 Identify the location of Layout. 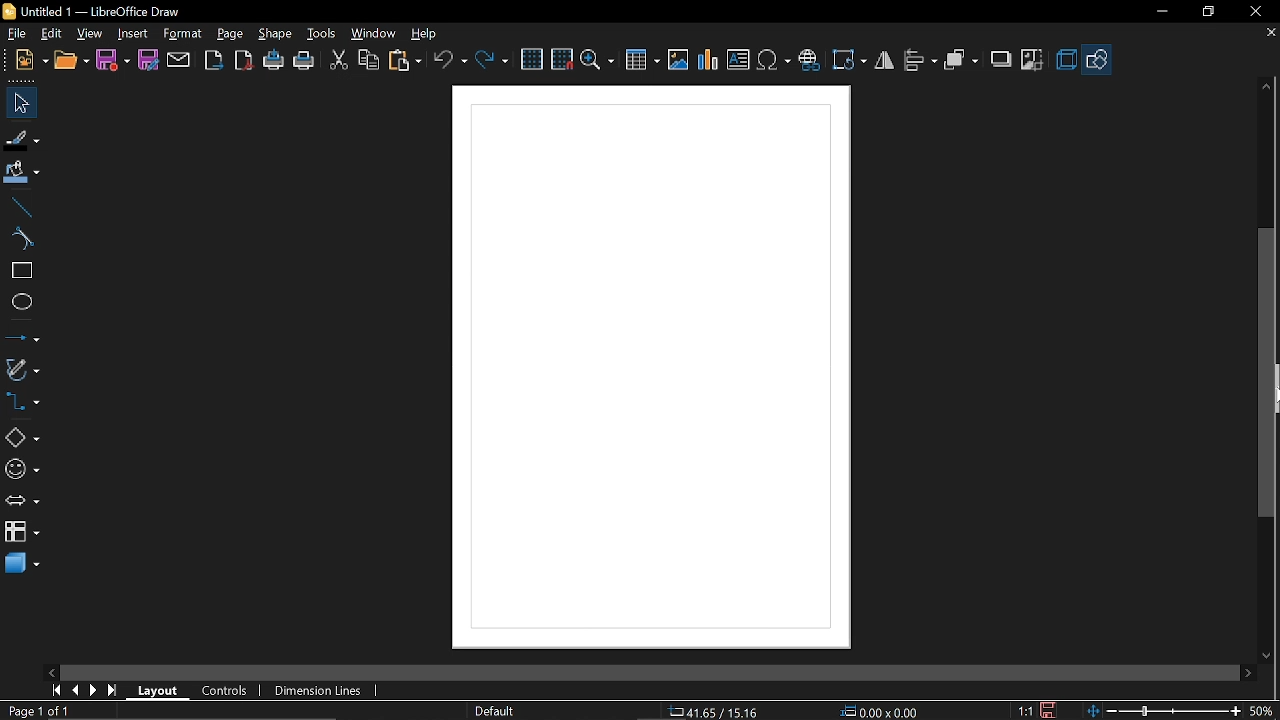
(161, 691).